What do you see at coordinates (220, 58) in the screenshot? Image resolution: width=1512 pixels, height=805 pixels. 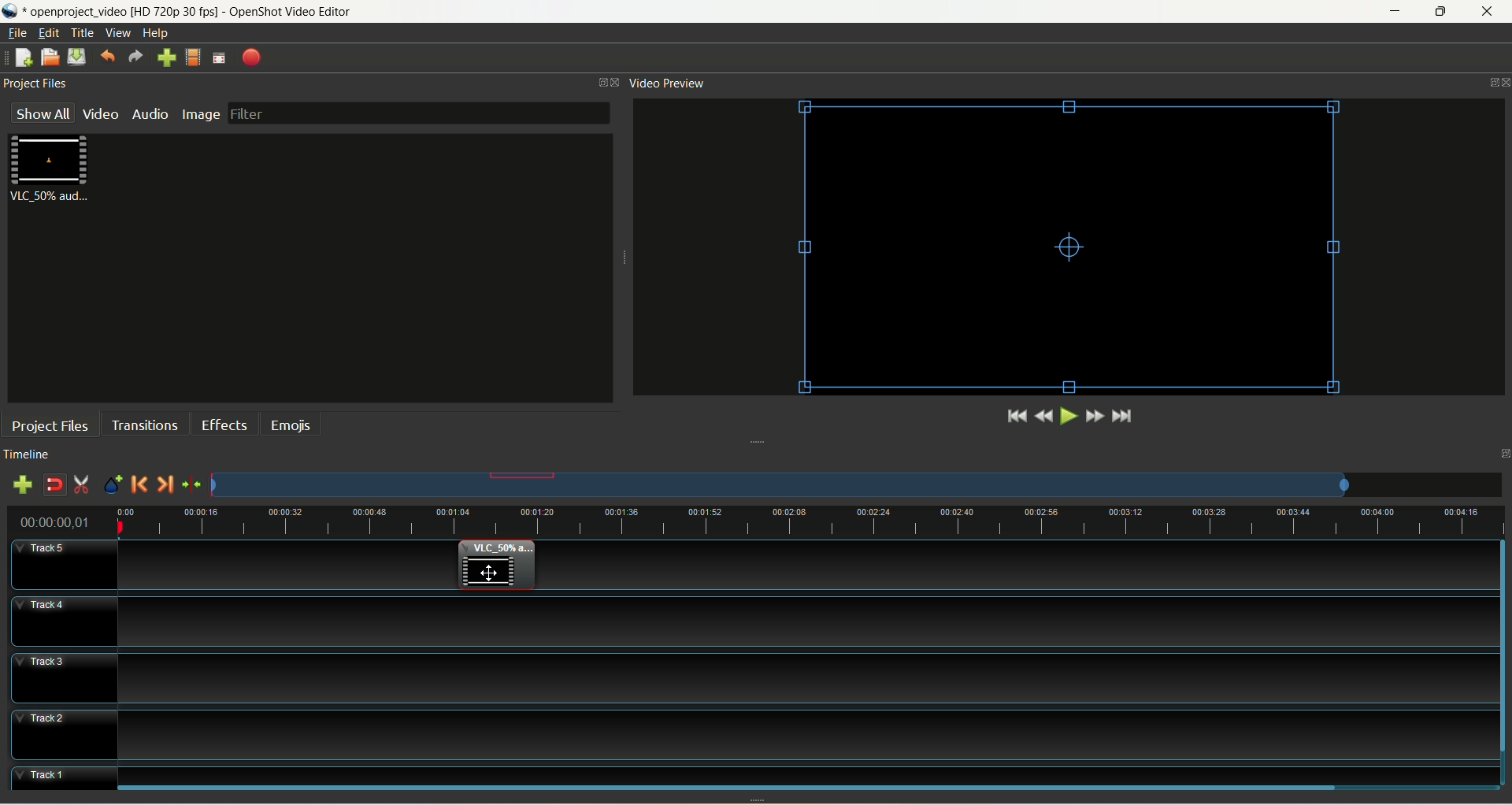 I see `fullscreen` at bounding box center [220, 58].